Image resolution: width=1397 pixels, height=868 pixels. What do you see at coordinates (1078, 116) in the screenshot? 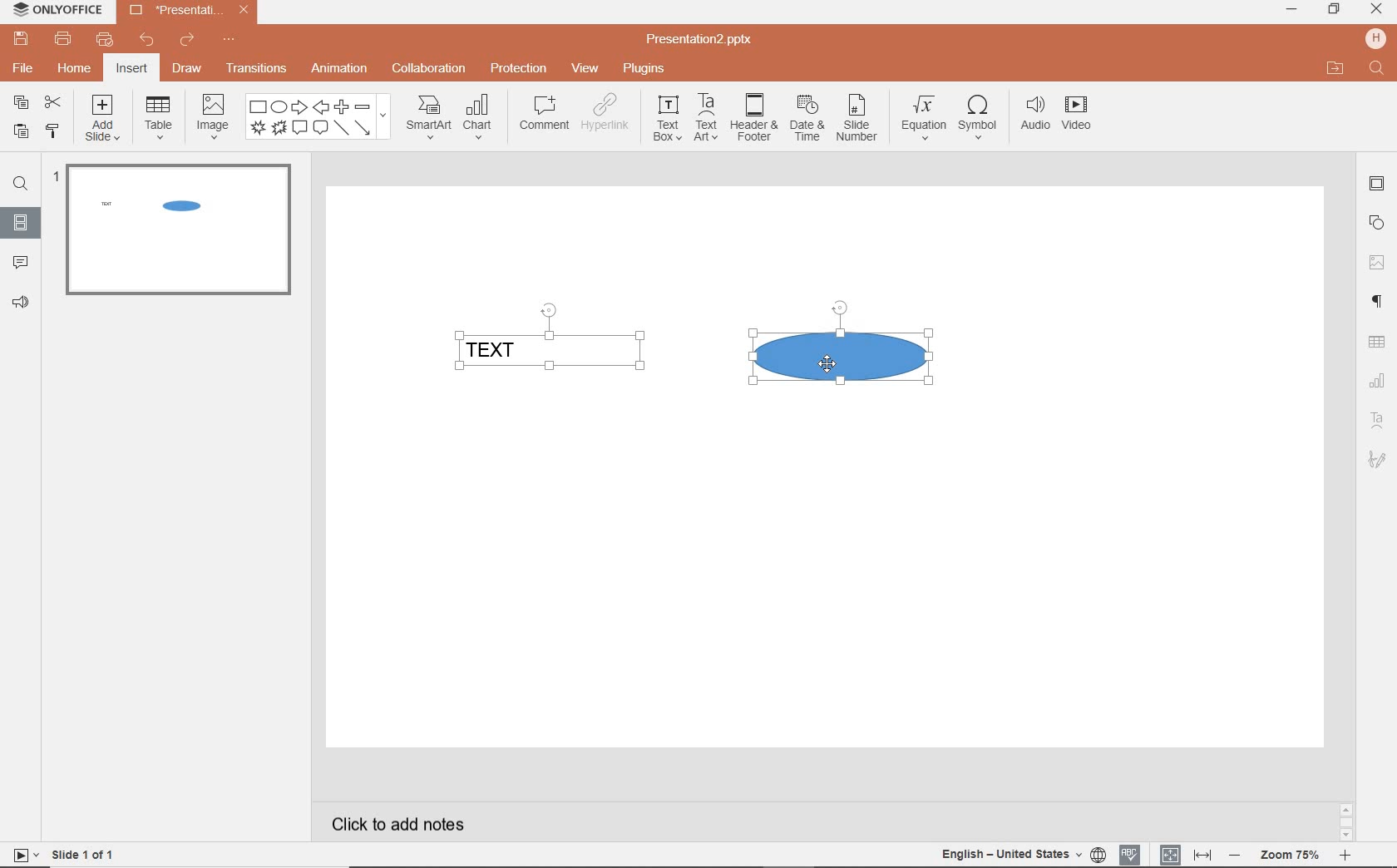
I see `video` at bounding box center [1078, 116].